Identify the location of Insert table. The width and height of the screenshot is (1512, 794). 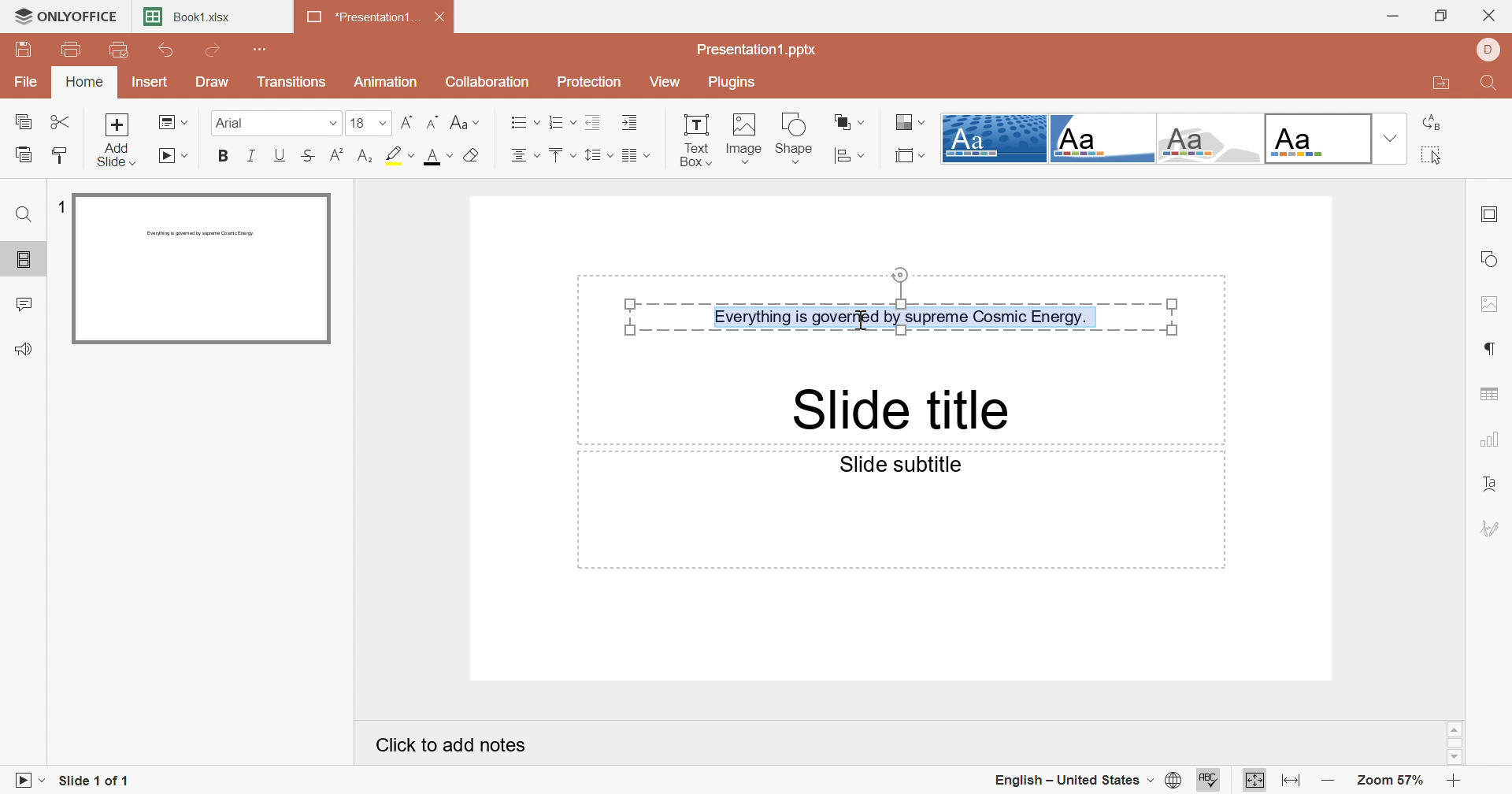
(1492, 395).